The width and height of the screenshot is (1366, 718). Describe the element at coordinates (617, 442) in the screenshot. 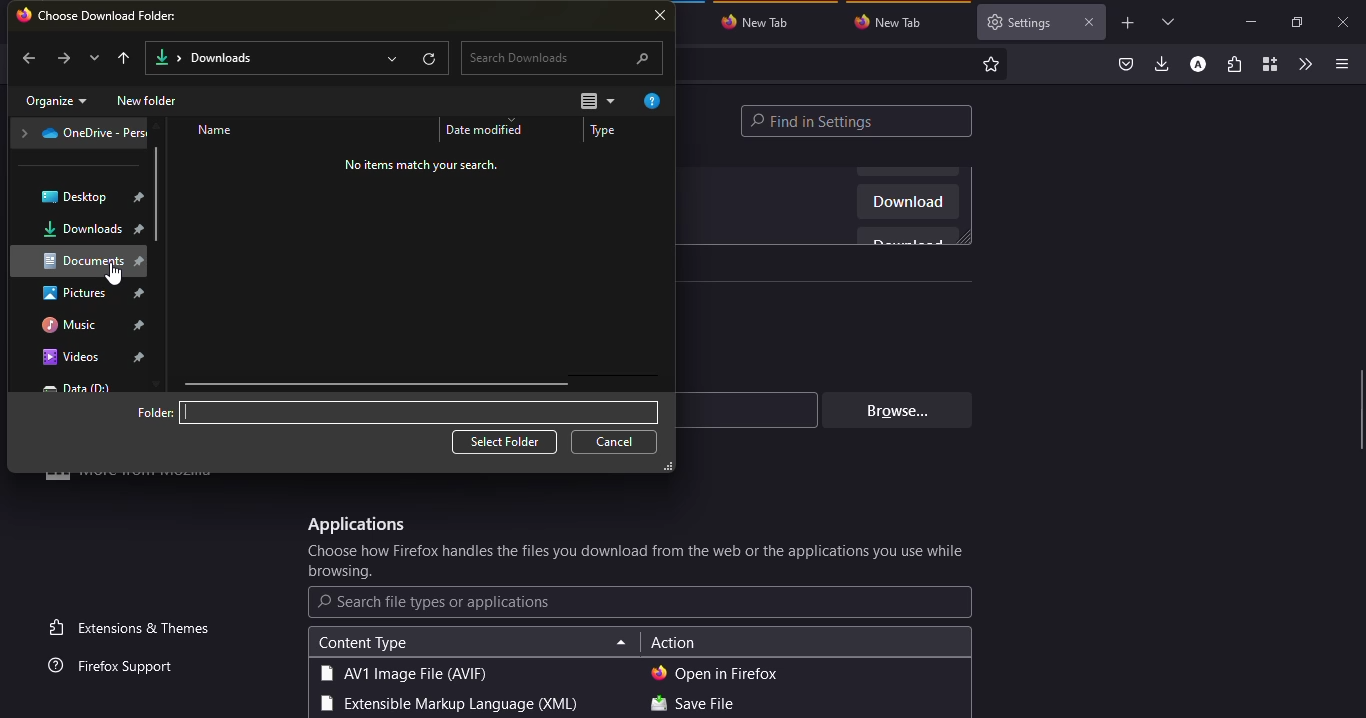

I see `cancel` at that location.